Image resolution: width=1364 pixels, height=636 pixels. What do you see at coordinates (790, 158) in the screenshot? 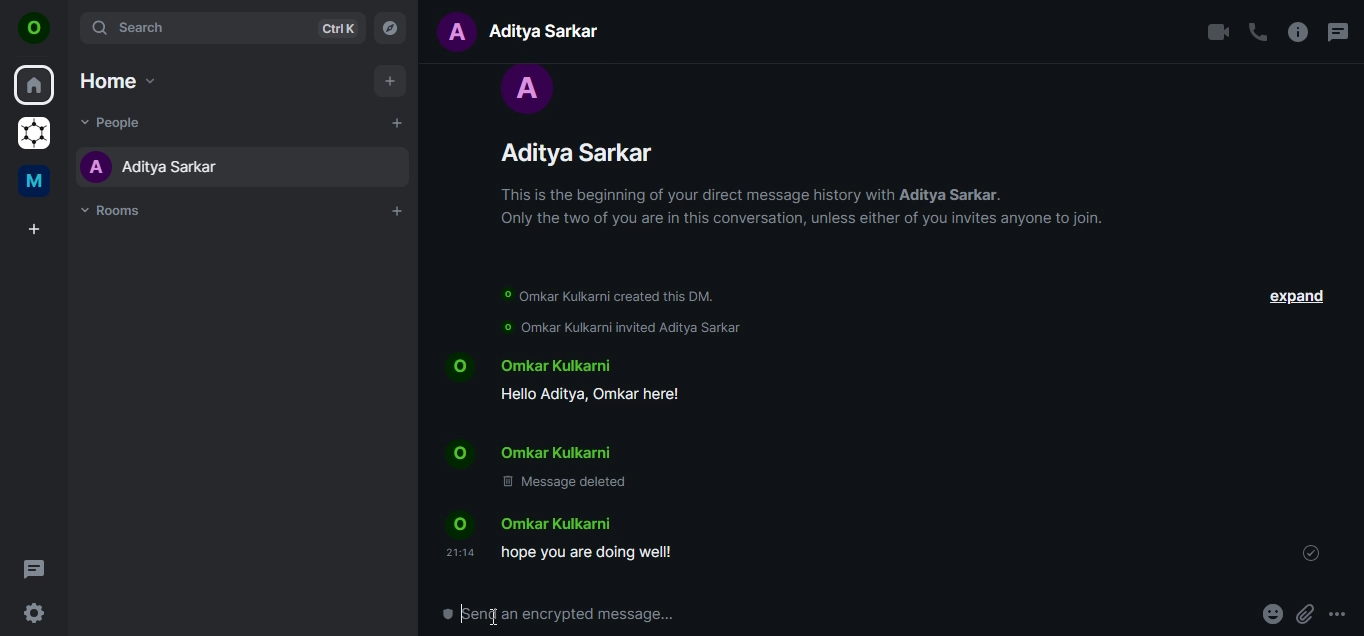
I see `profile/name` at bounding box center [790, 158].